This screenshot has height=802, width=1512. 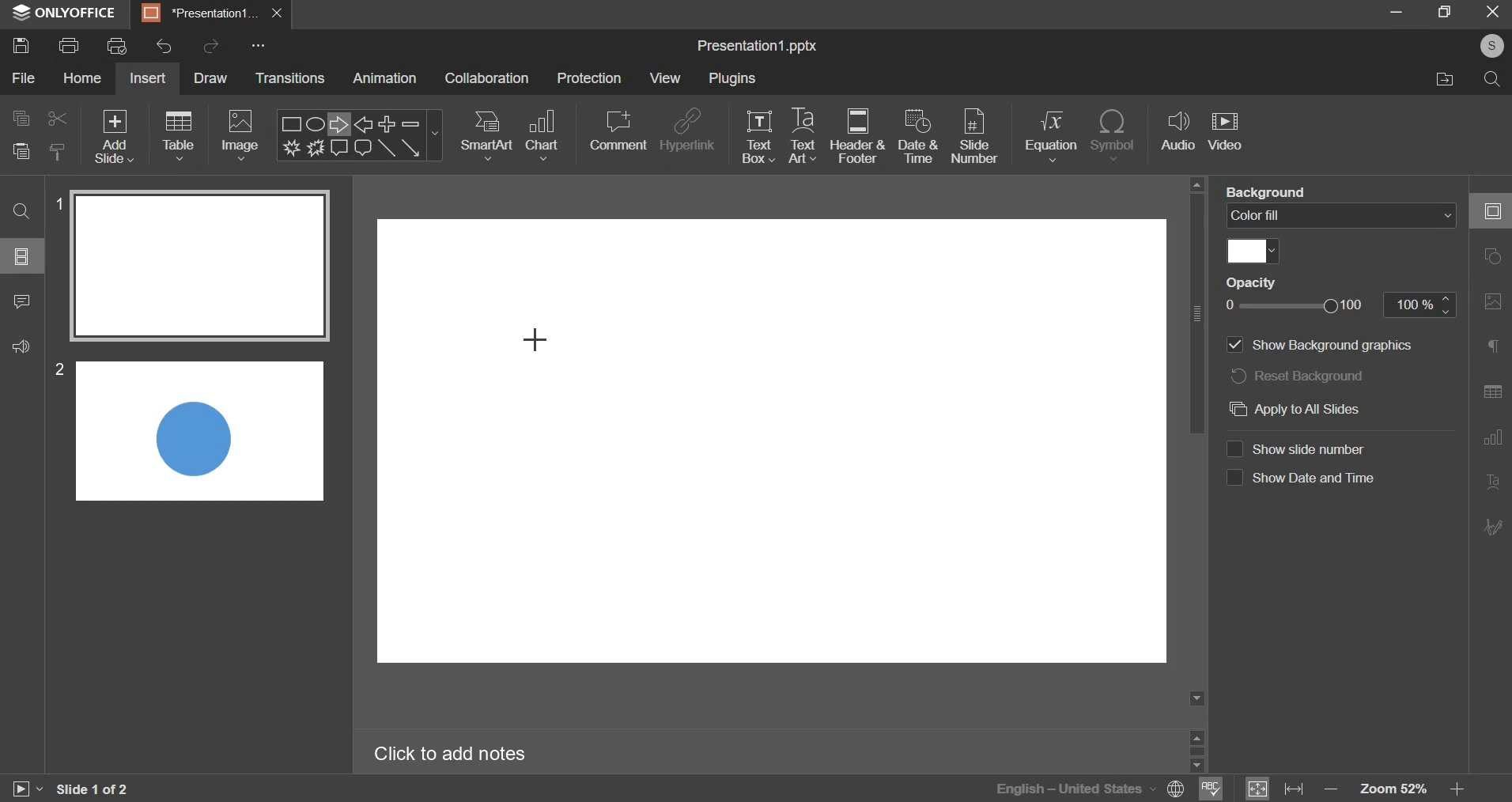 What do you see at coordinates (488, 136) in the screenshot?
I see `smartart` at bounding box center [488, 136].